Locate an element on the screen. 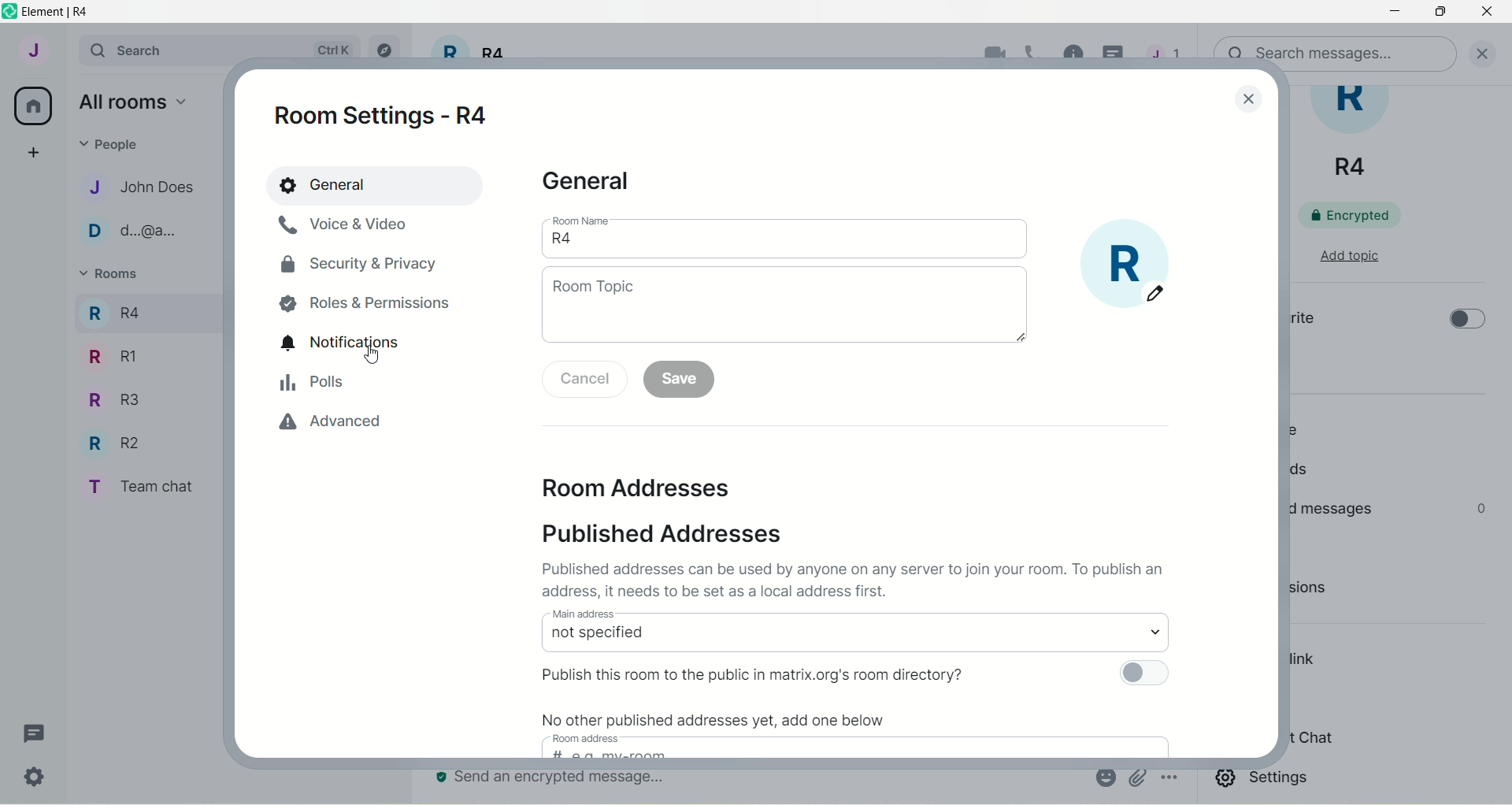  Published addresses can be used Dy anyone on any server to join your room. Io publish an
address, it needs to be set as a local address first. is located at coordinates (862, 577).